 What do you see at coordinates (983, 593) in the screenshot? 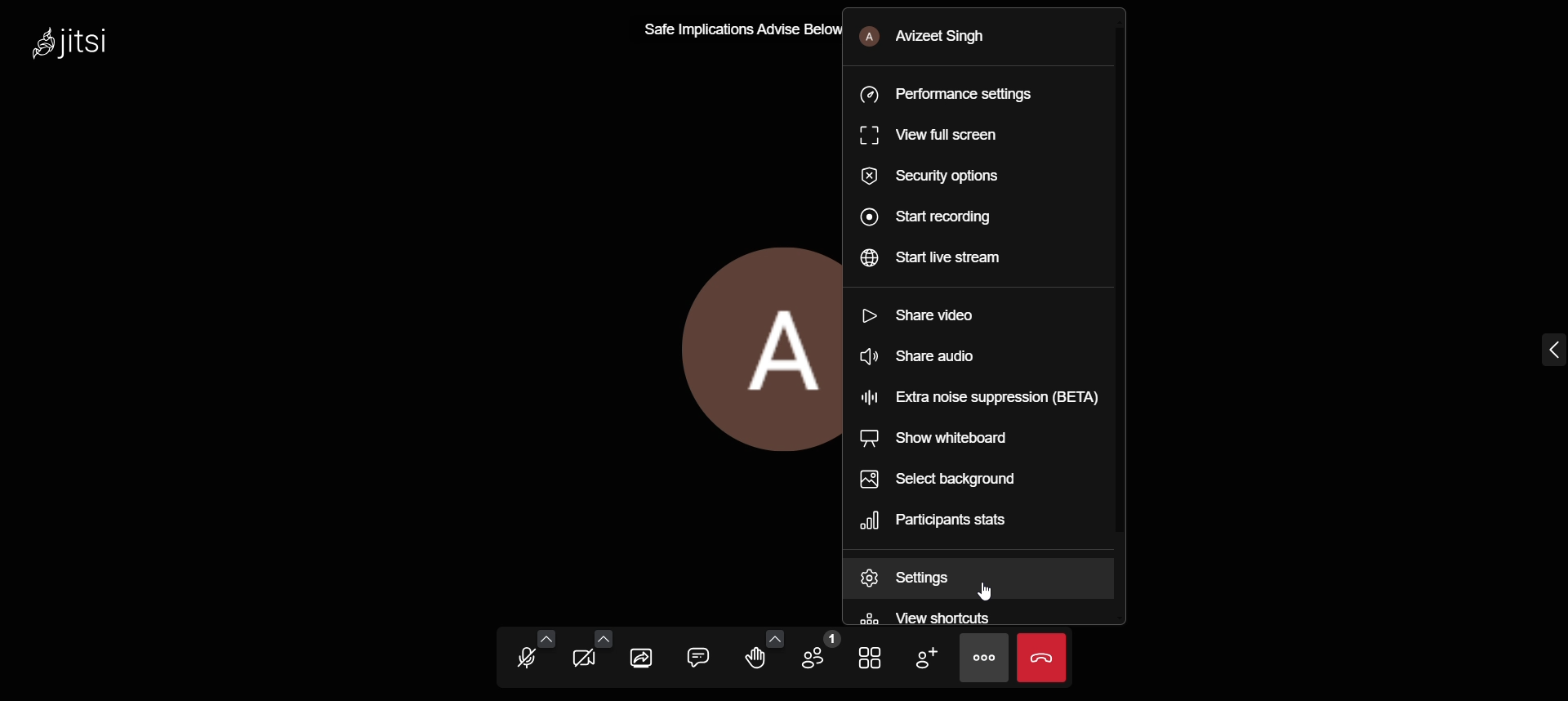
I see `cursor` at bounding box center [983, 593].